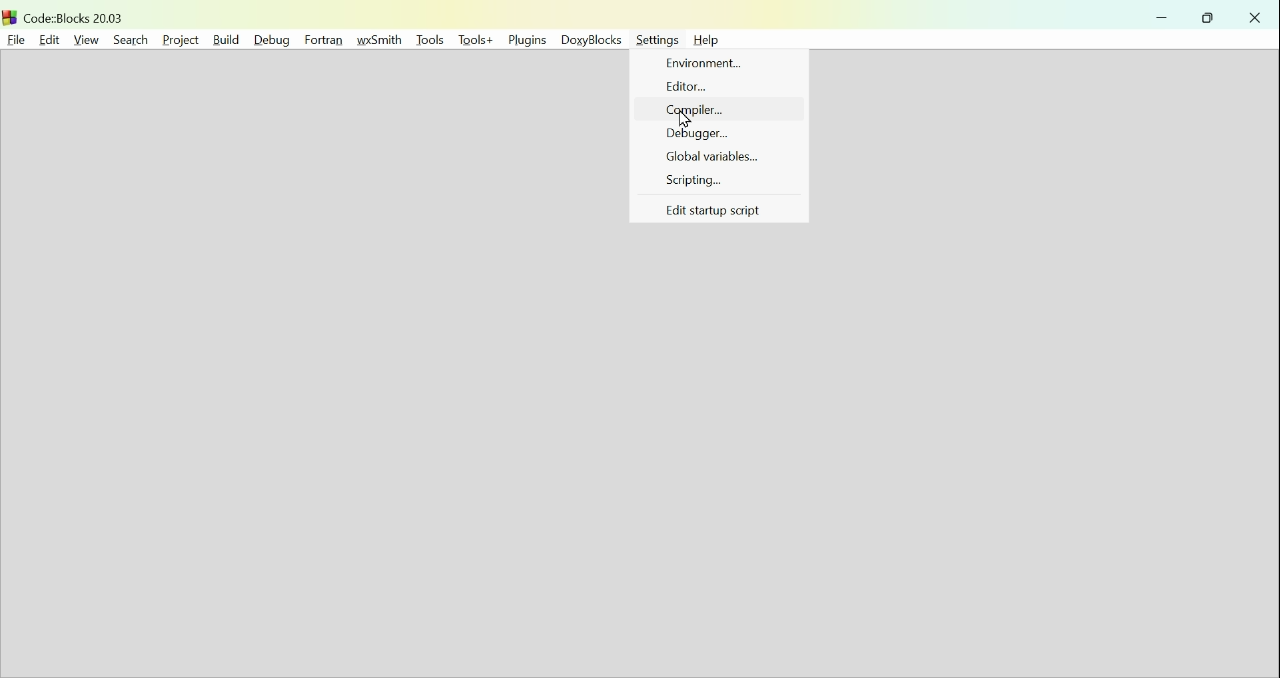  Describe the element at coordinates (86, 39) in the screenshot. I see `View` at that location.